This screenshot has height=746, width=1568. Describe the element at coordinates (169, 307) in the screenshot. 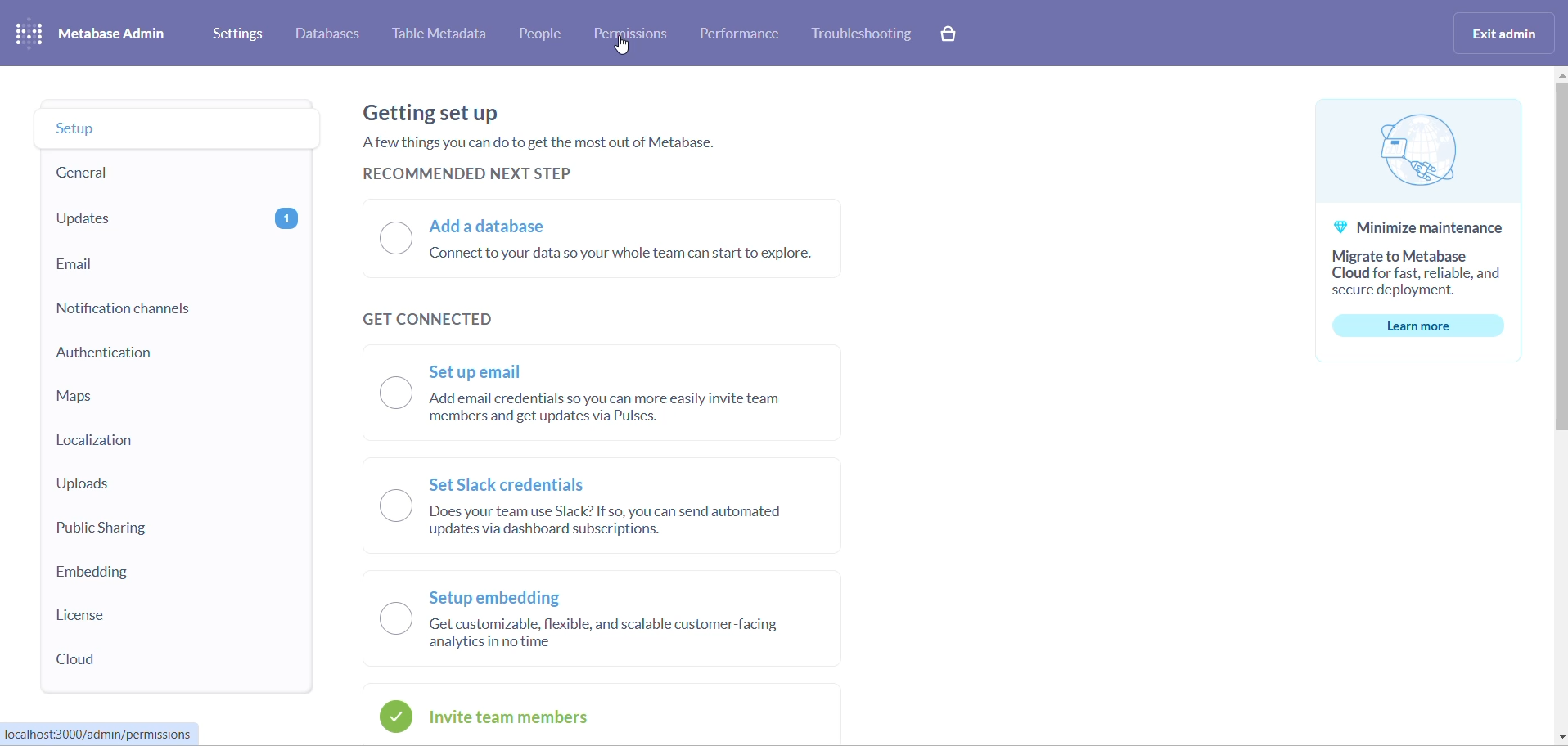

I see `notification channels` at that location.